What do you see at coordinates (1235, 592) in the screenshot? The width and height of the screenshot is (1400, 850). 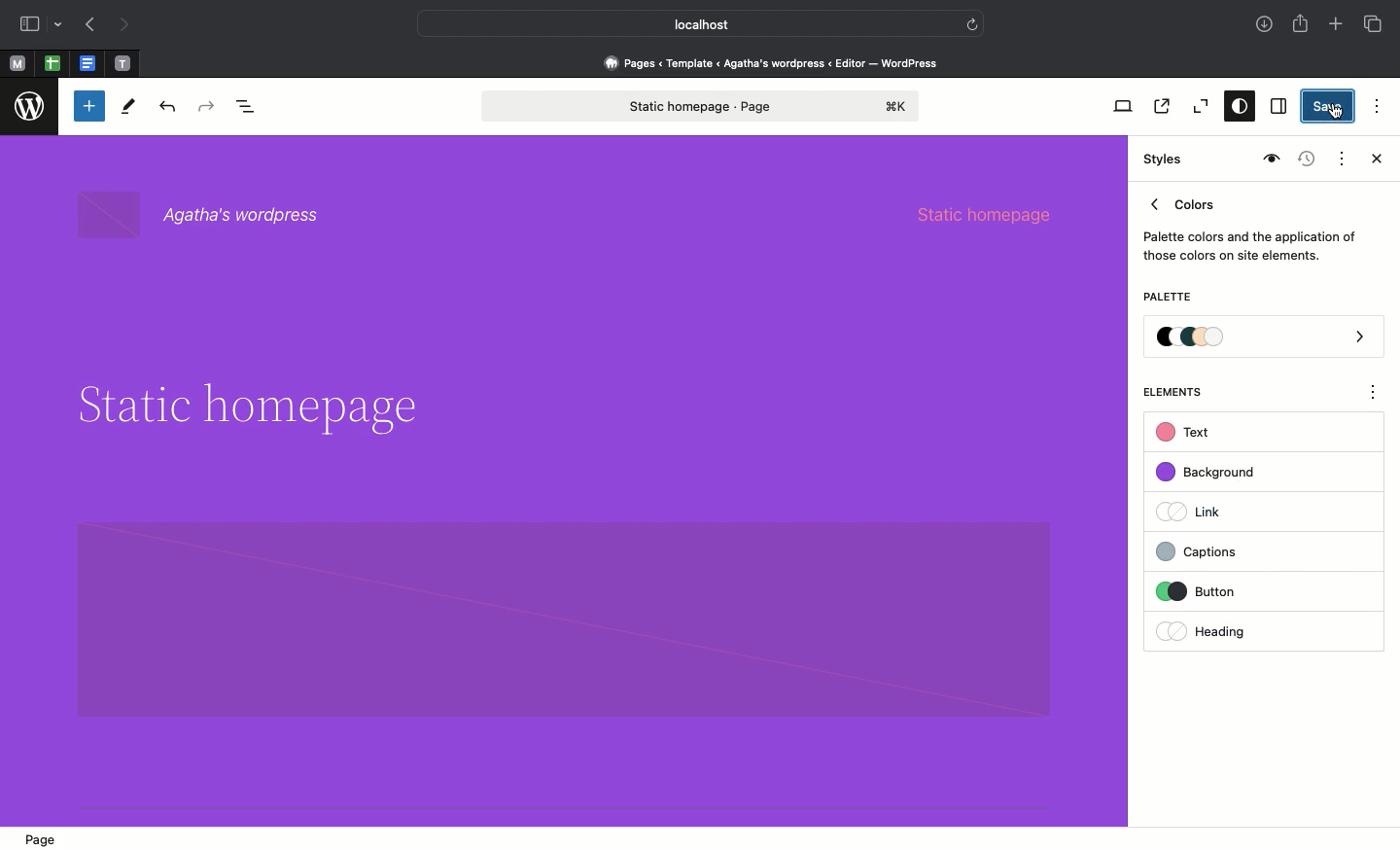 I see `Clicking on button` at bounding box center [1235, 592].